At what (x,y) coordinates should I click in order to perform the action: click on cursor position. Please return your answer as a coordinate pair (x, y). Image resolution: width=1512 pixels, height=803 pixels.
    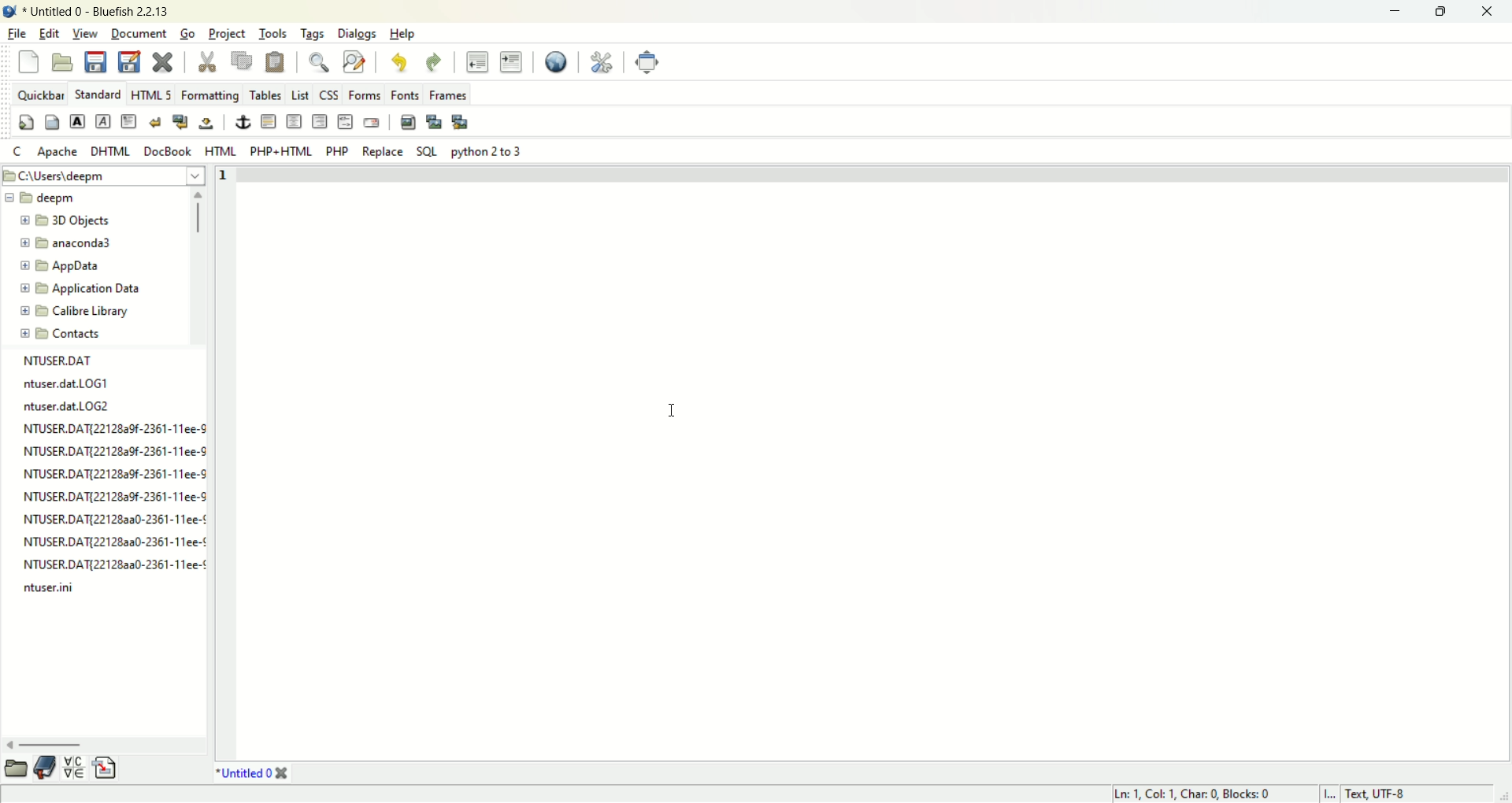
    Looking at the image, I should click on (1204, 794).